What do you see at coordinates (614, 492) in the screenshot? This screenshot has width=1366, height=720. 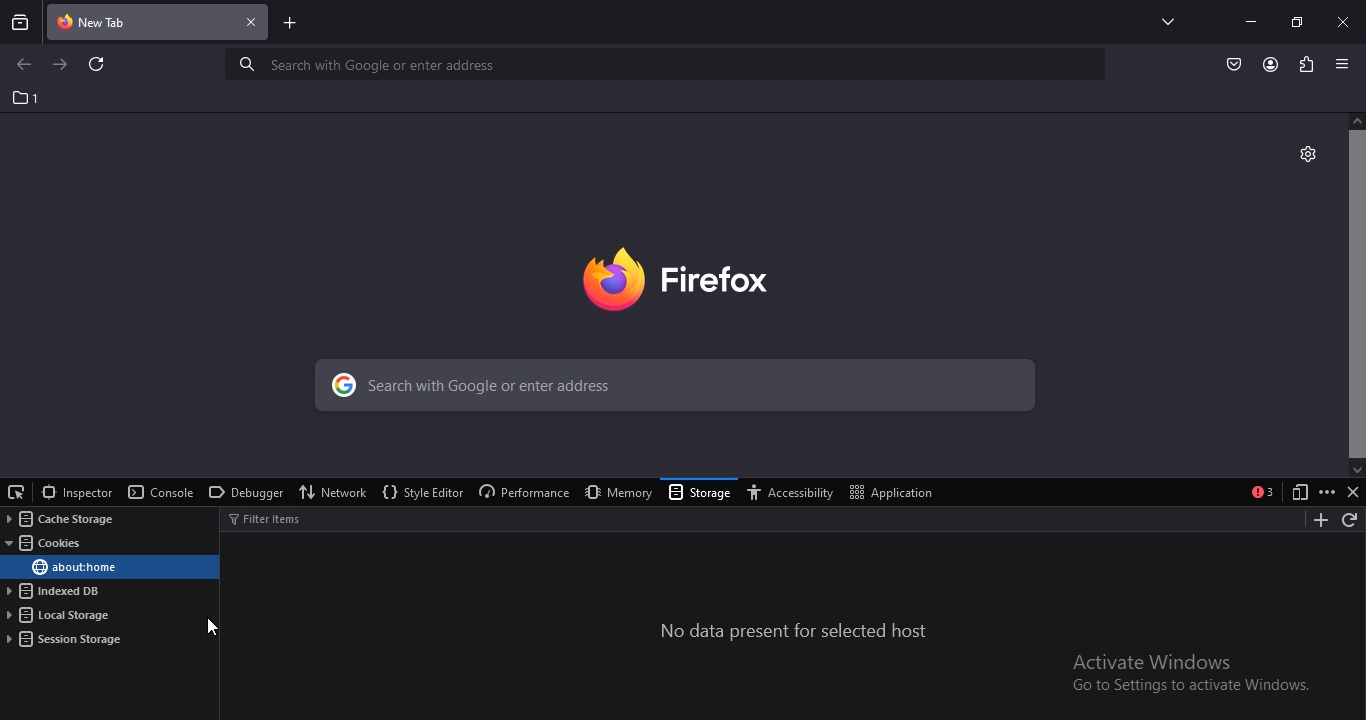 I see `memory` at bounding box center [614, 492].